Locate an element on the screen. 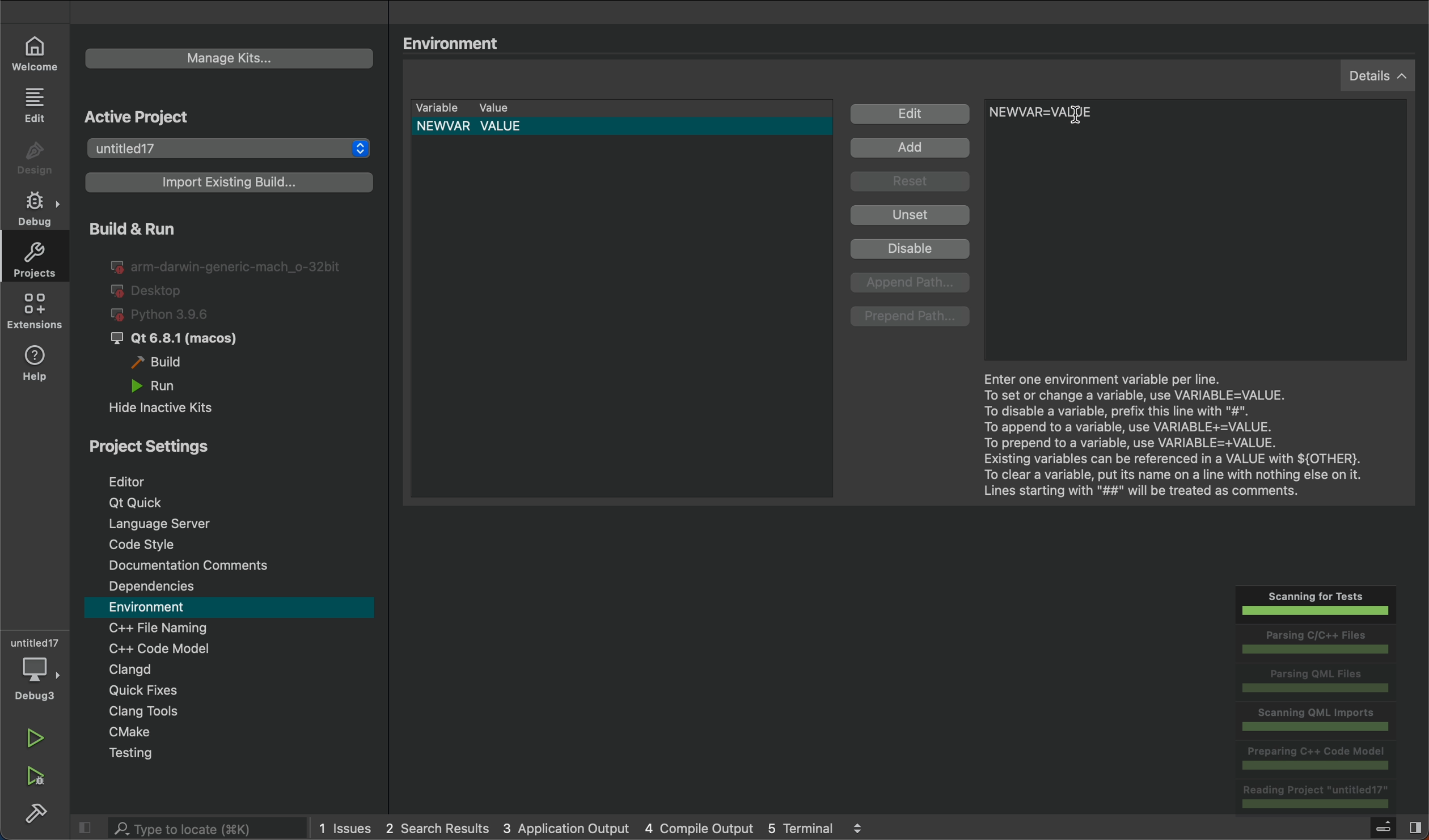 Image resolution: width=1429 pixels, height=840 pixels. Environment is located at coordinates (459, 41).